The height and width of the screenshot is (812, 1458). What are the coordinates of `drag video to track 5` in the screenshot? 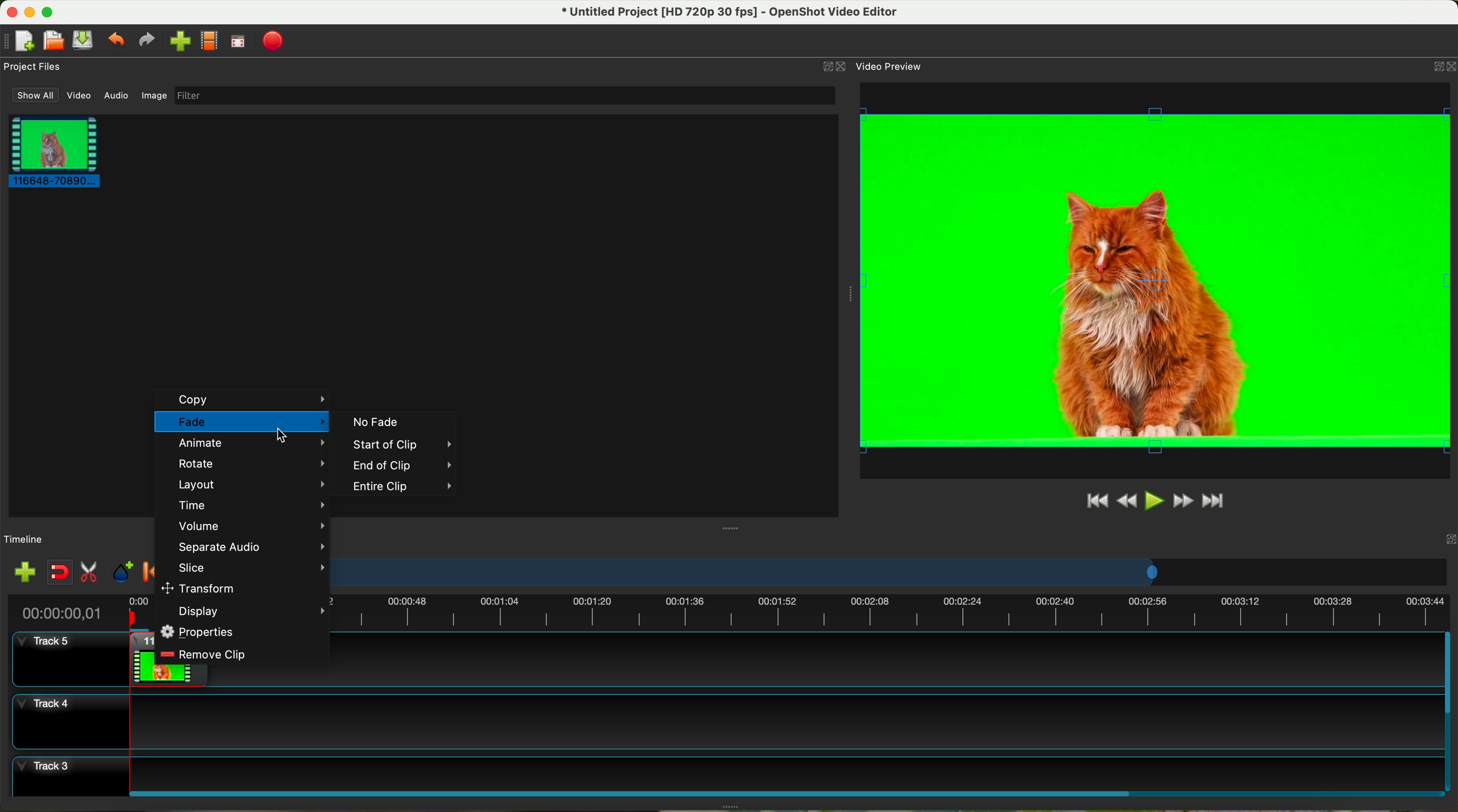 It's located at (141, 658).